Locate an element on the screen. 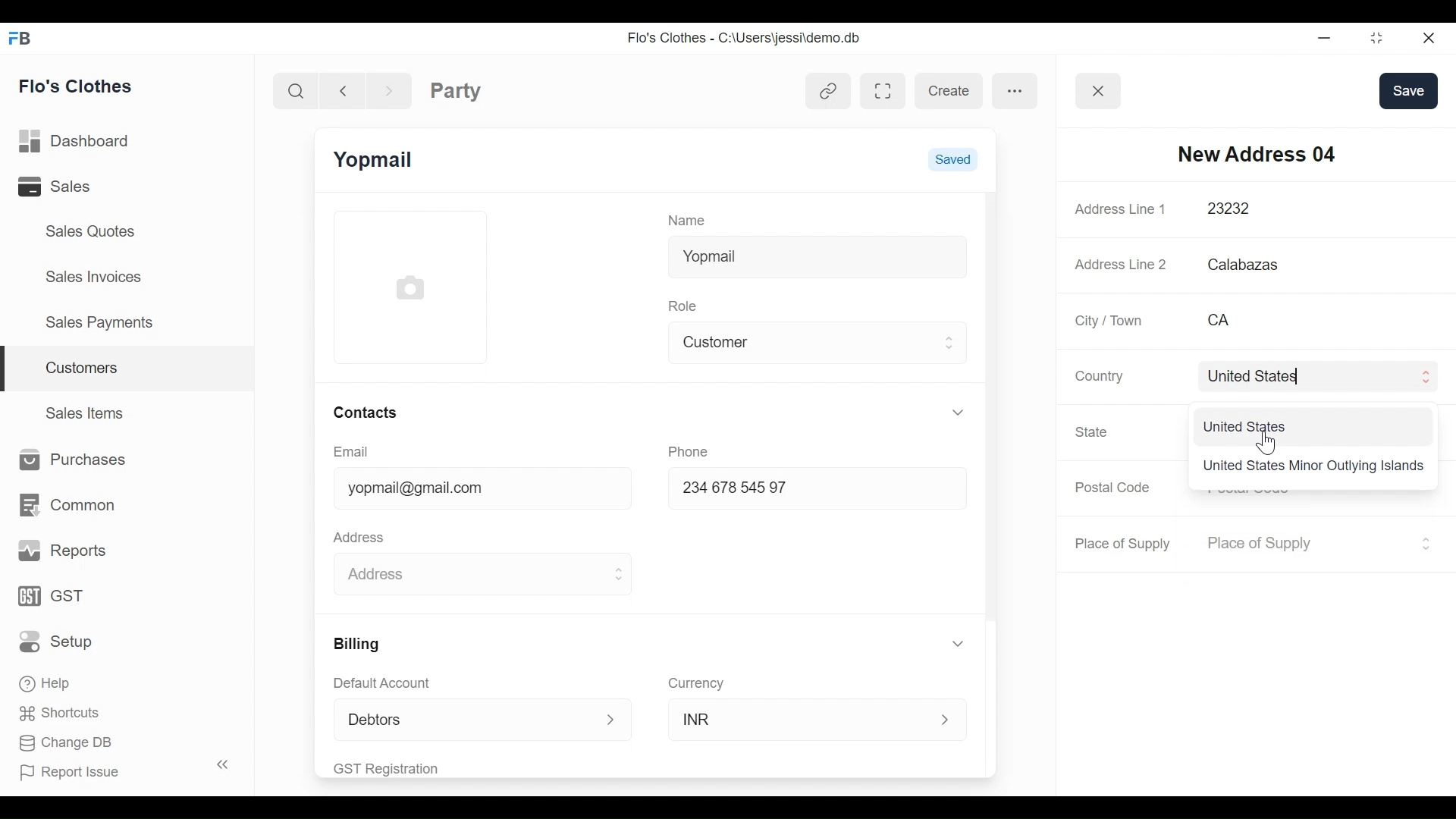 Image resolution: width=1456 pixels, height=819 pixels. Yopmail is located at coordinates (817, 254).